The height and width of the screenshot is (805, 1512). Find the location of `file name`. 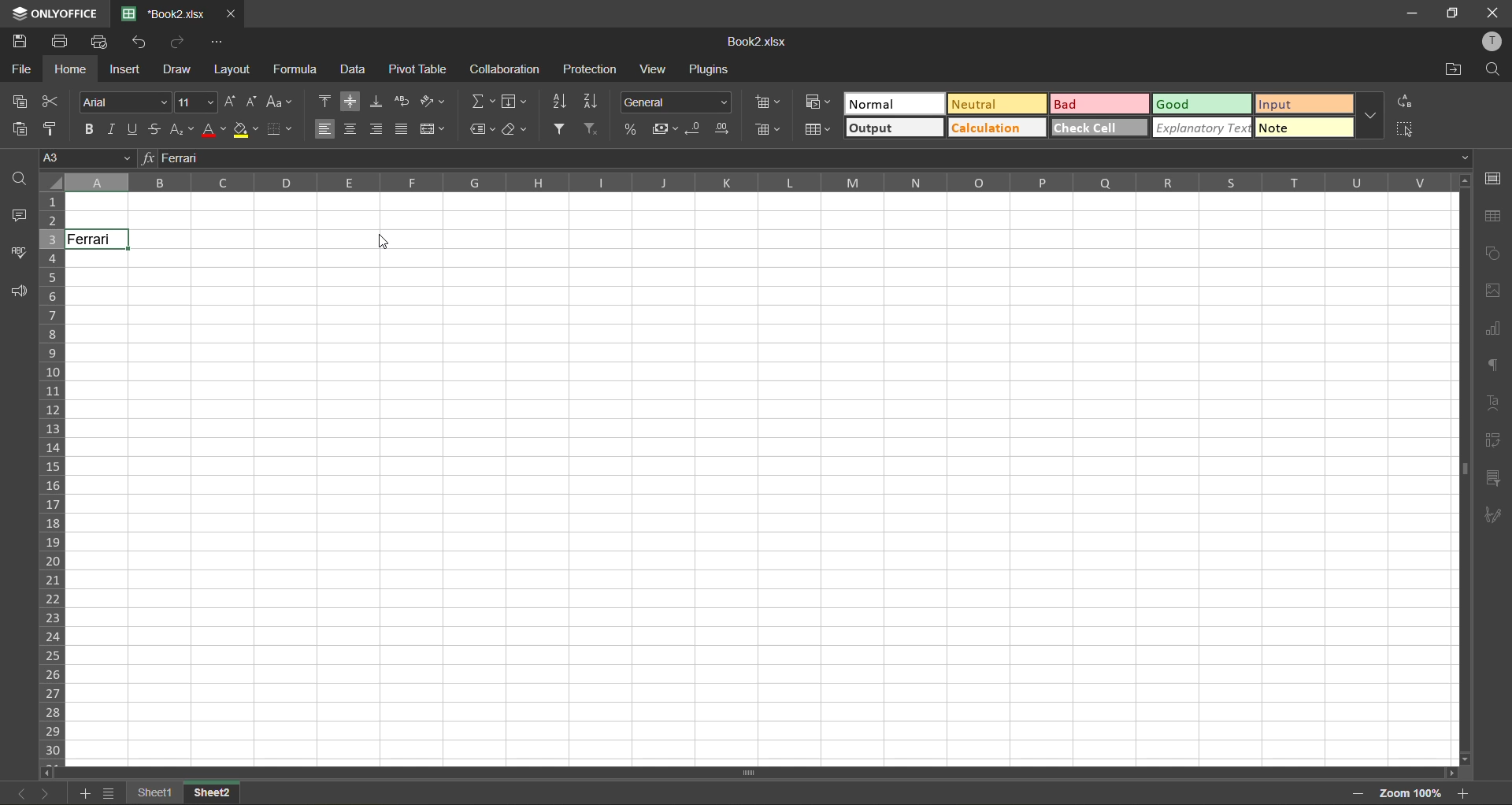

file name is located at coordinates (761, 42).